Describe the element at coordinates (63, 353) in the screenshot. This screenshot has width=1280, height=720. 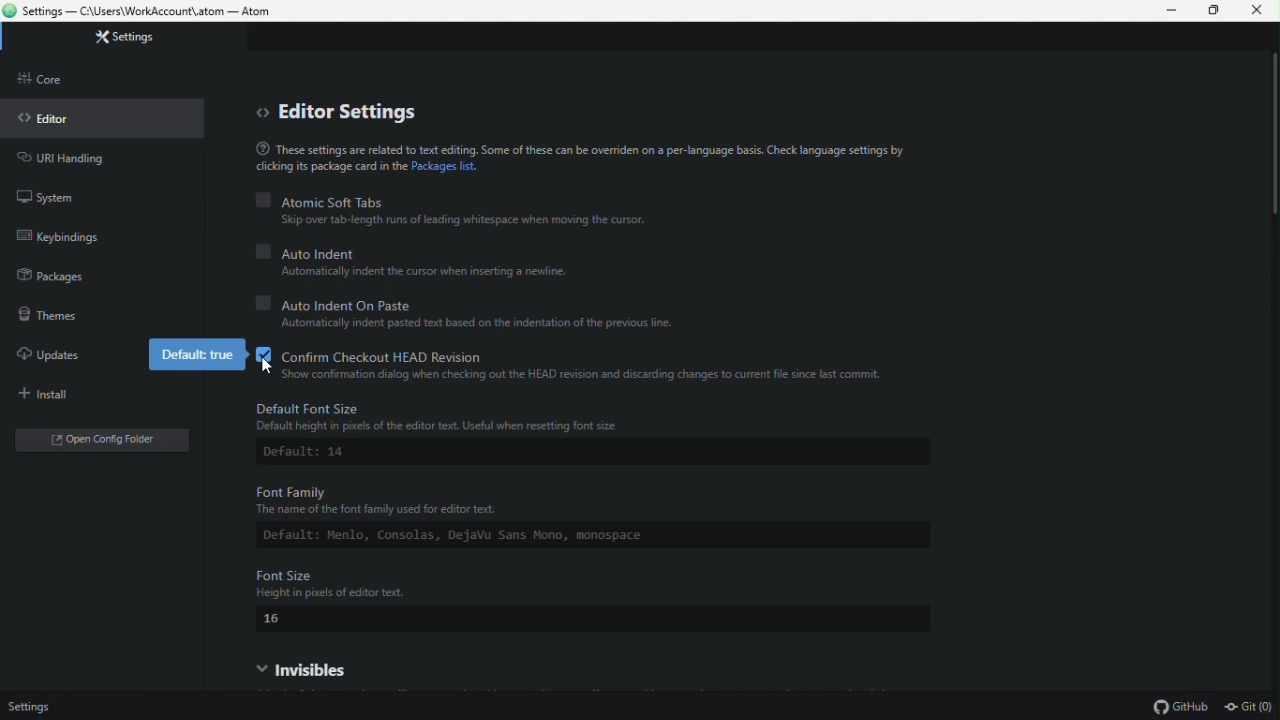
I see `Updates` at that location.